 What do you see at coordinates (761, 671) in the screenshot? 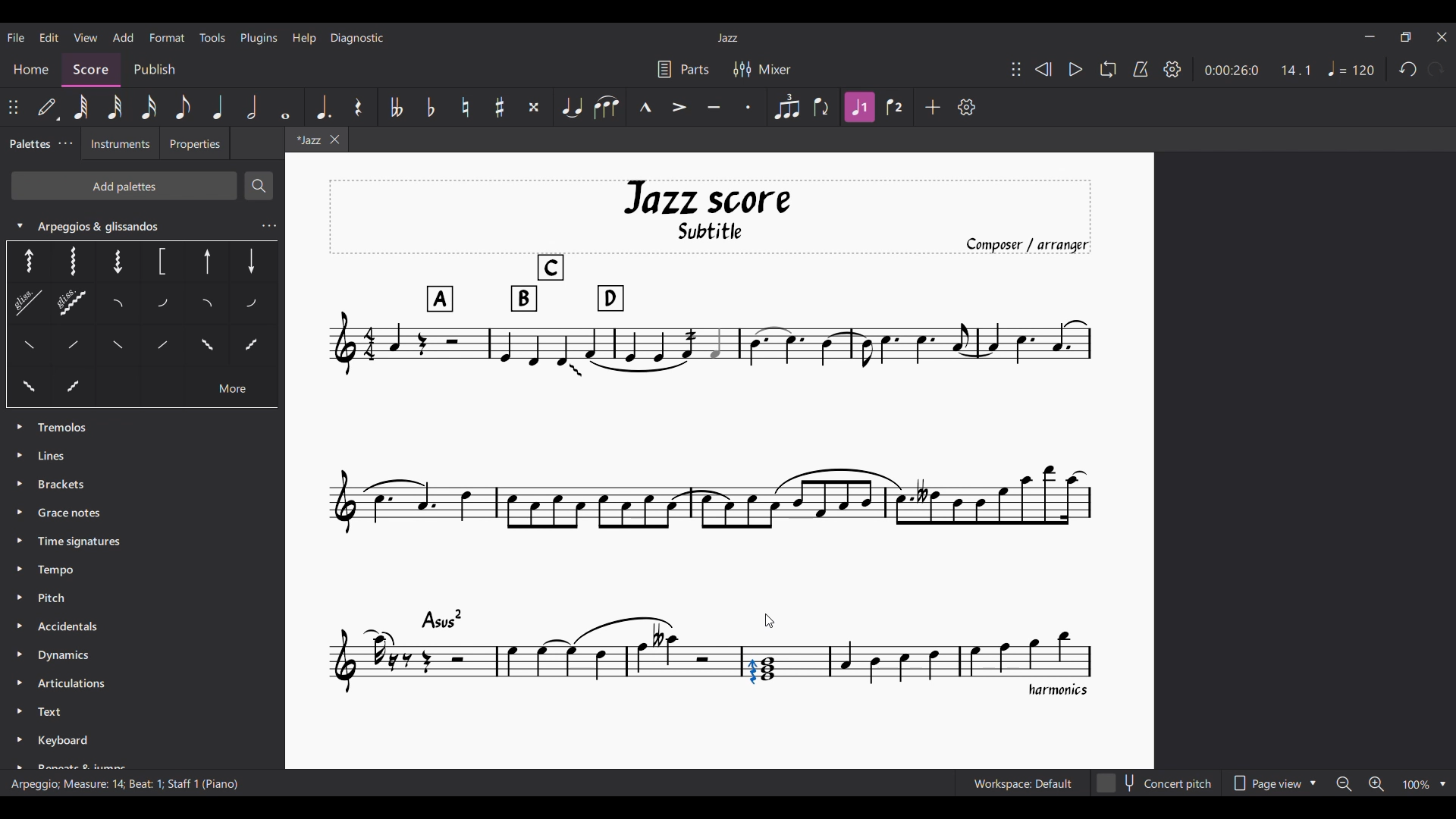
I see `Arpeggios added to chord` at bounding box center [761, 671].